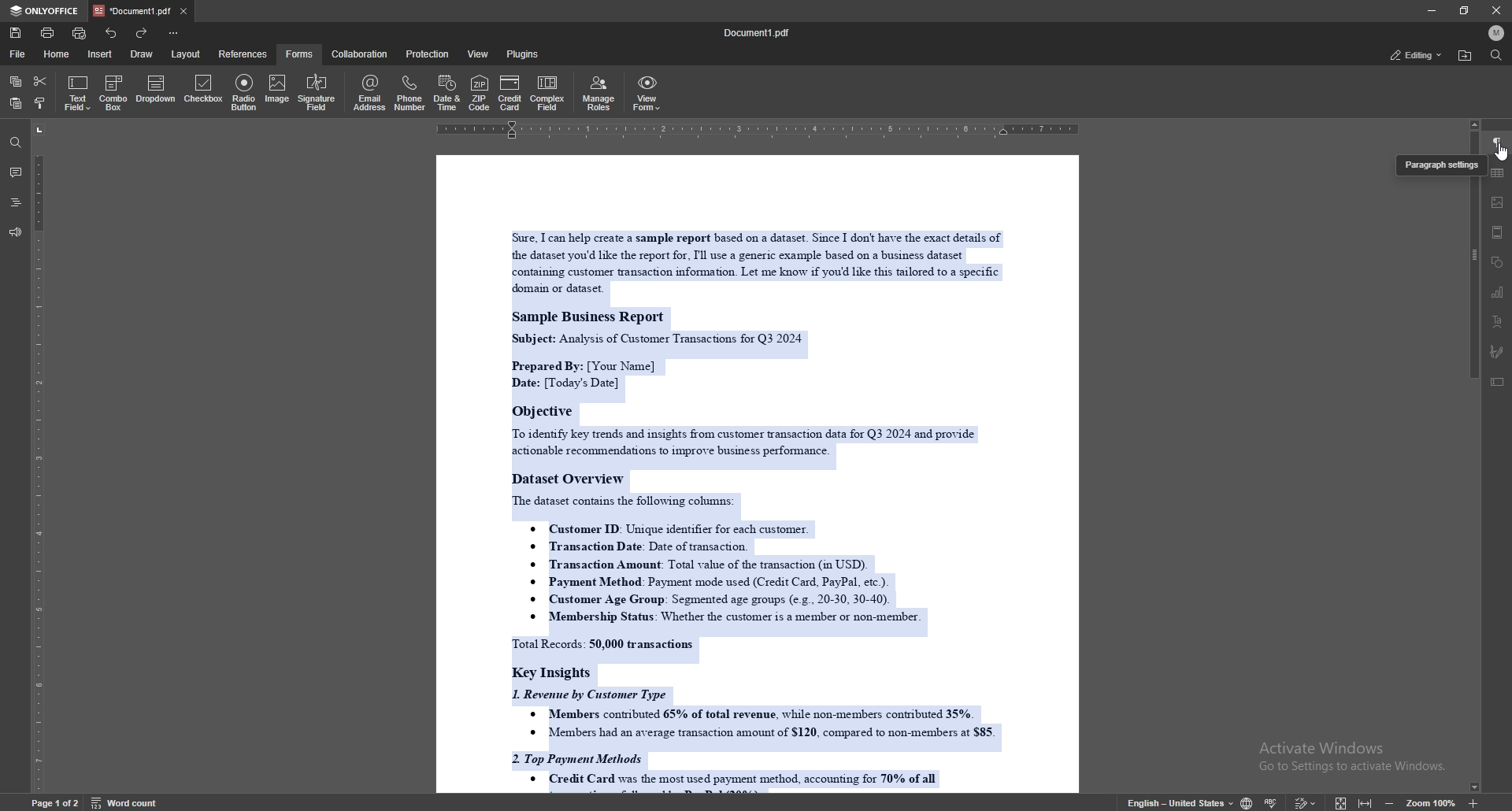  Describe the element at coordinates (1498, 262) in the screenshot. I see `shapes` at that location.